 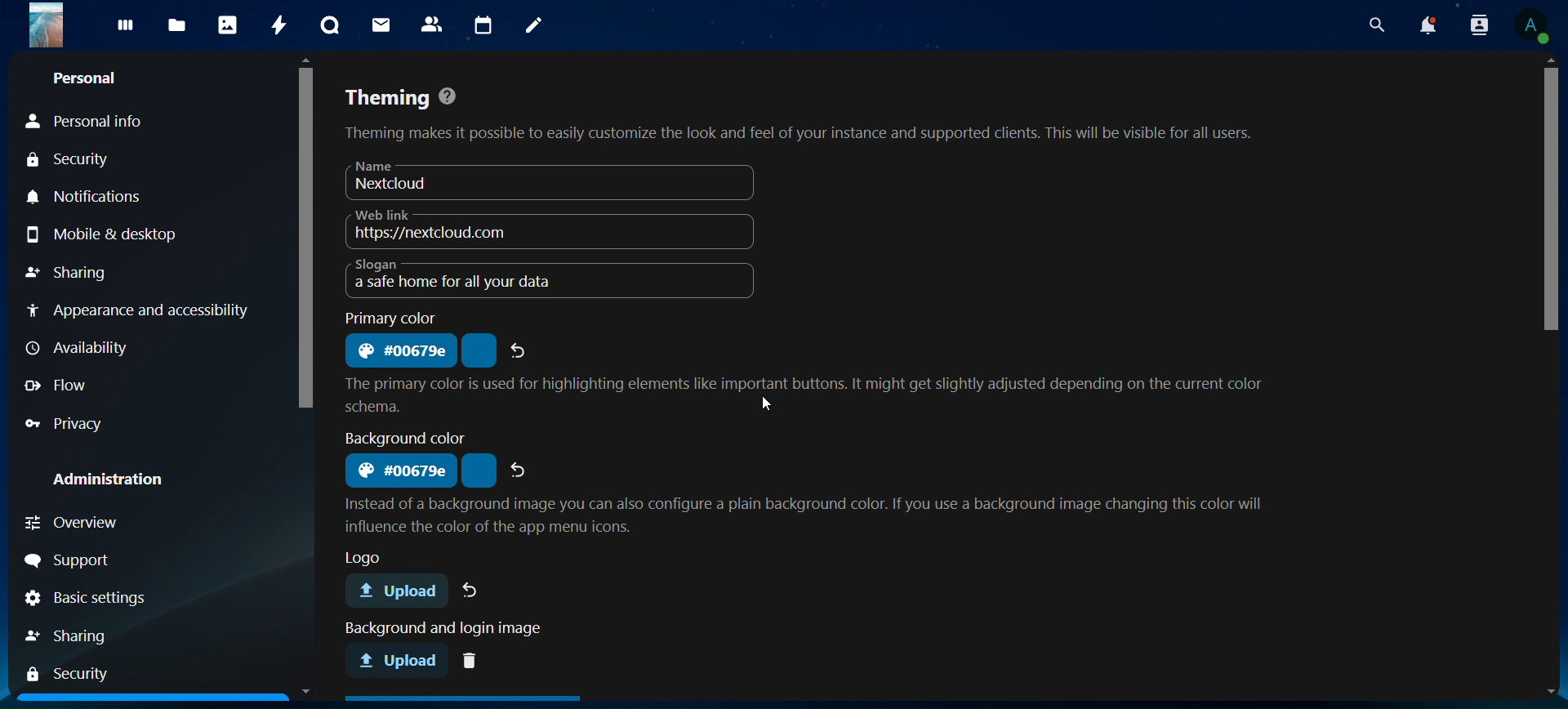 What do you see at coordinates (78, 159) in the screenshot?
I see `security` at bounding box center [78, 159].